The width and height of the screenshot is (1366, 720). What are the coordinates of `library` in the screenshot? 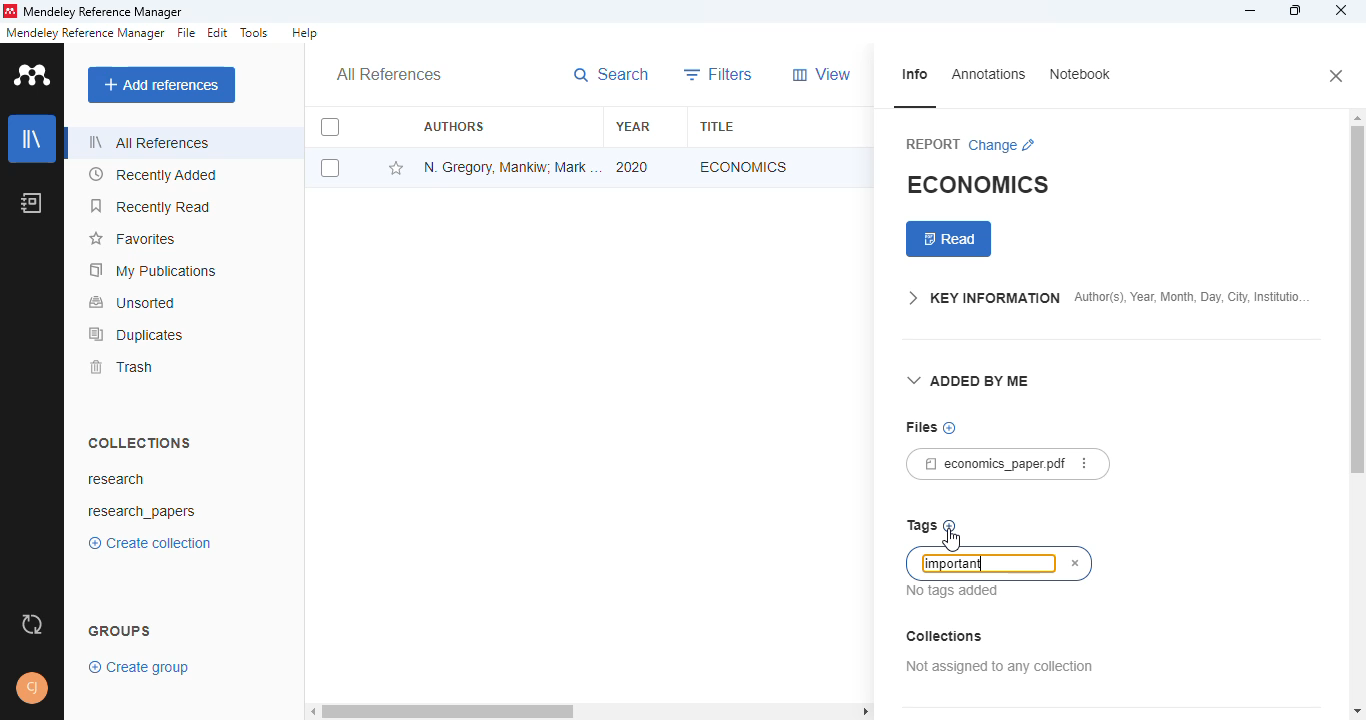 It's located at (32, 139).